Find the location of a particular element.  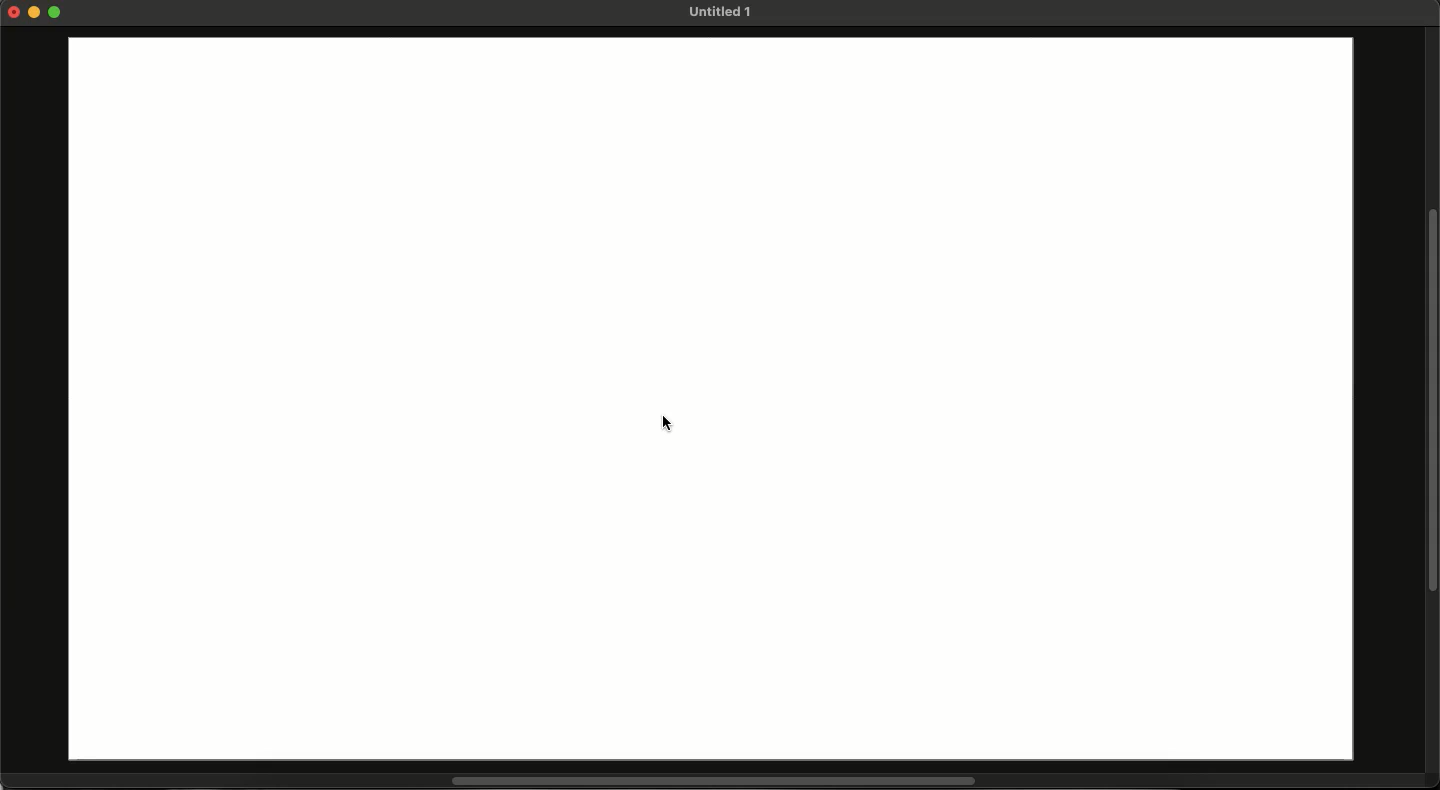

cursor is located at coordinates (665, 423).